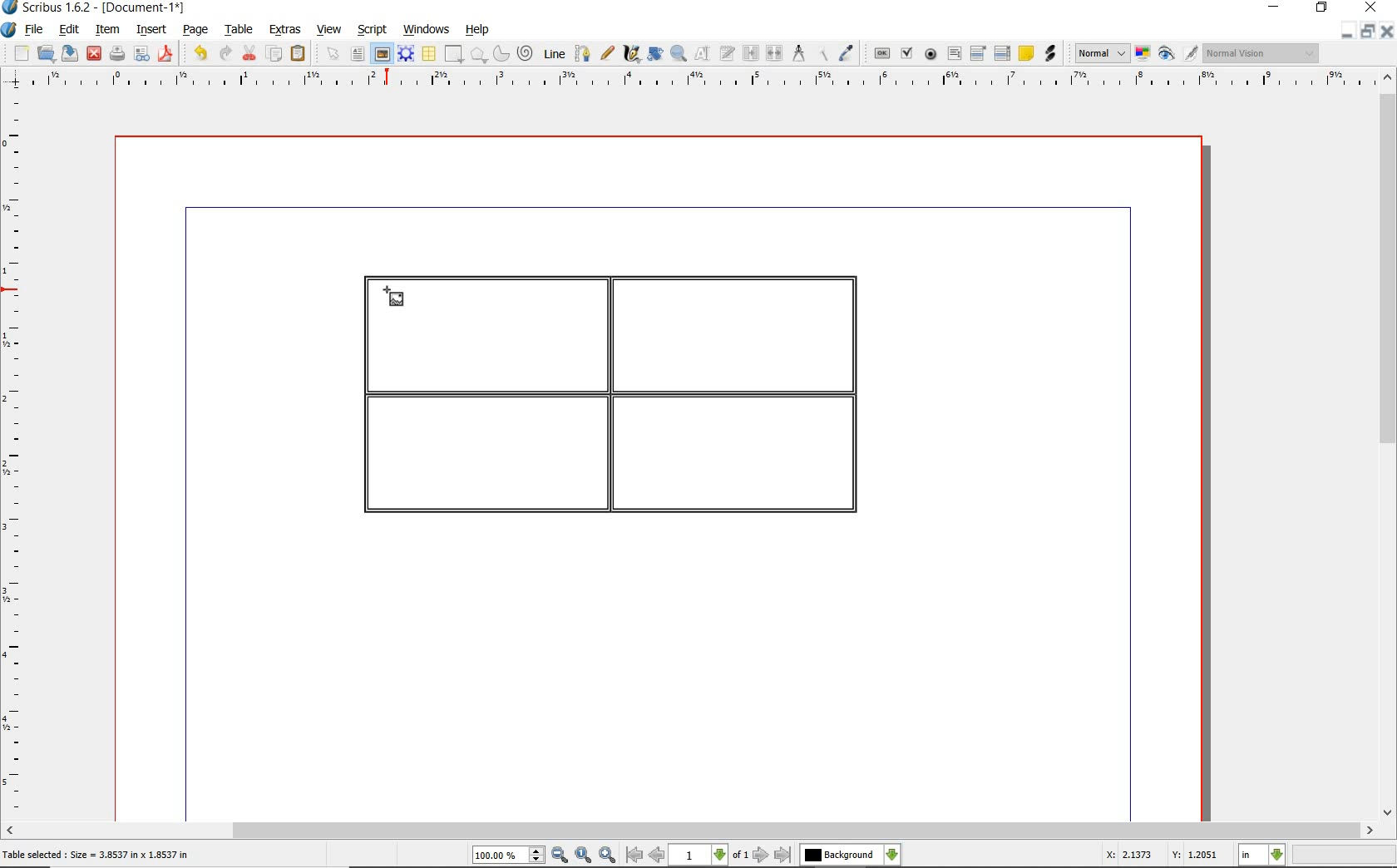 The height and width of the screenshot is (868, 1397). Describe the element at coordinates (503, 55) in the screenshot. I see `arc` at that location.